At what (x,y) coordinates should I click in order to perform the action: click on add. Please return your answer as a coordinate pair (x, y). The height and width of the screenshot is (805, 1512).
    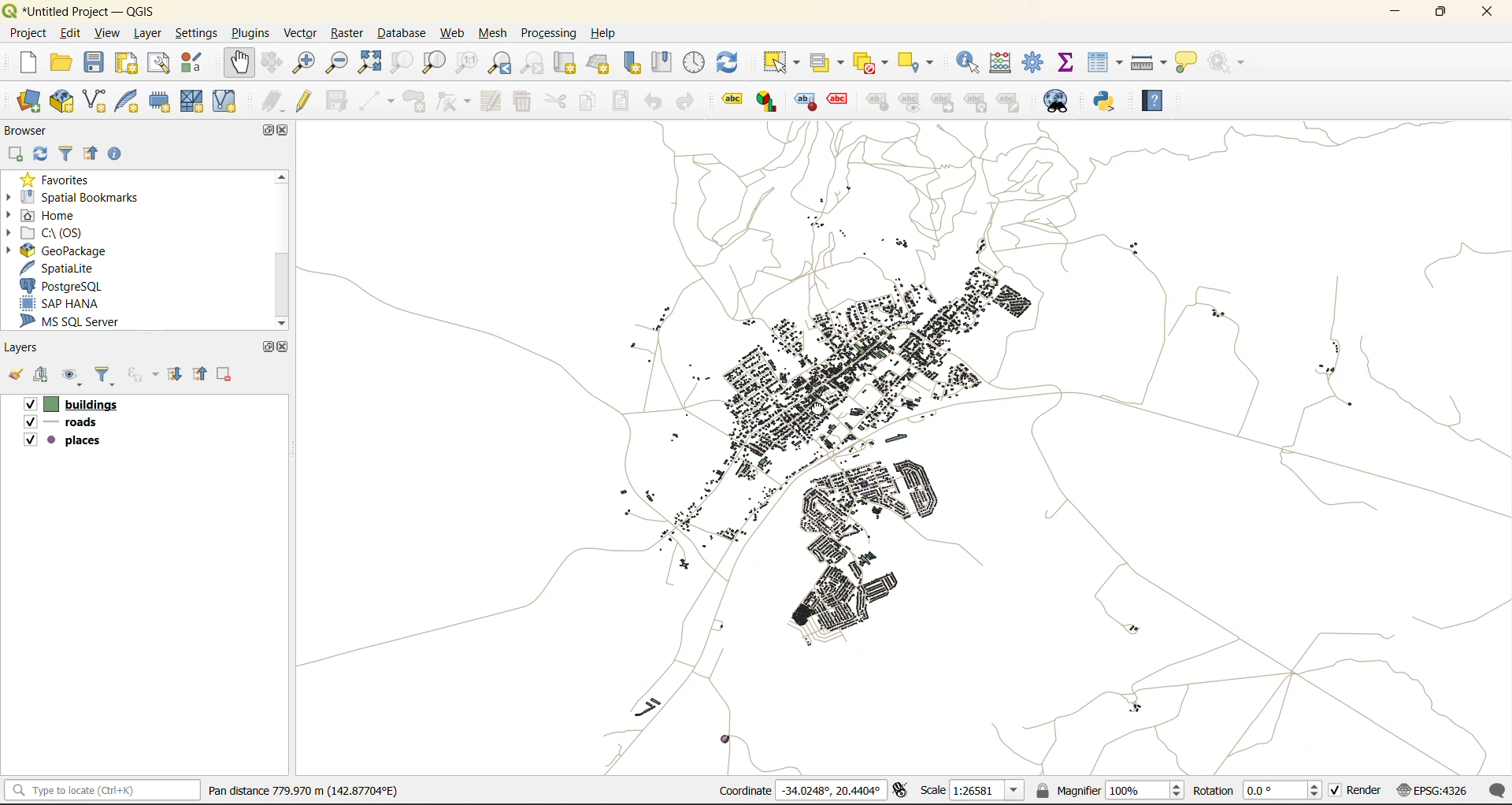
    Looking at the image, I should click on (43, 376).